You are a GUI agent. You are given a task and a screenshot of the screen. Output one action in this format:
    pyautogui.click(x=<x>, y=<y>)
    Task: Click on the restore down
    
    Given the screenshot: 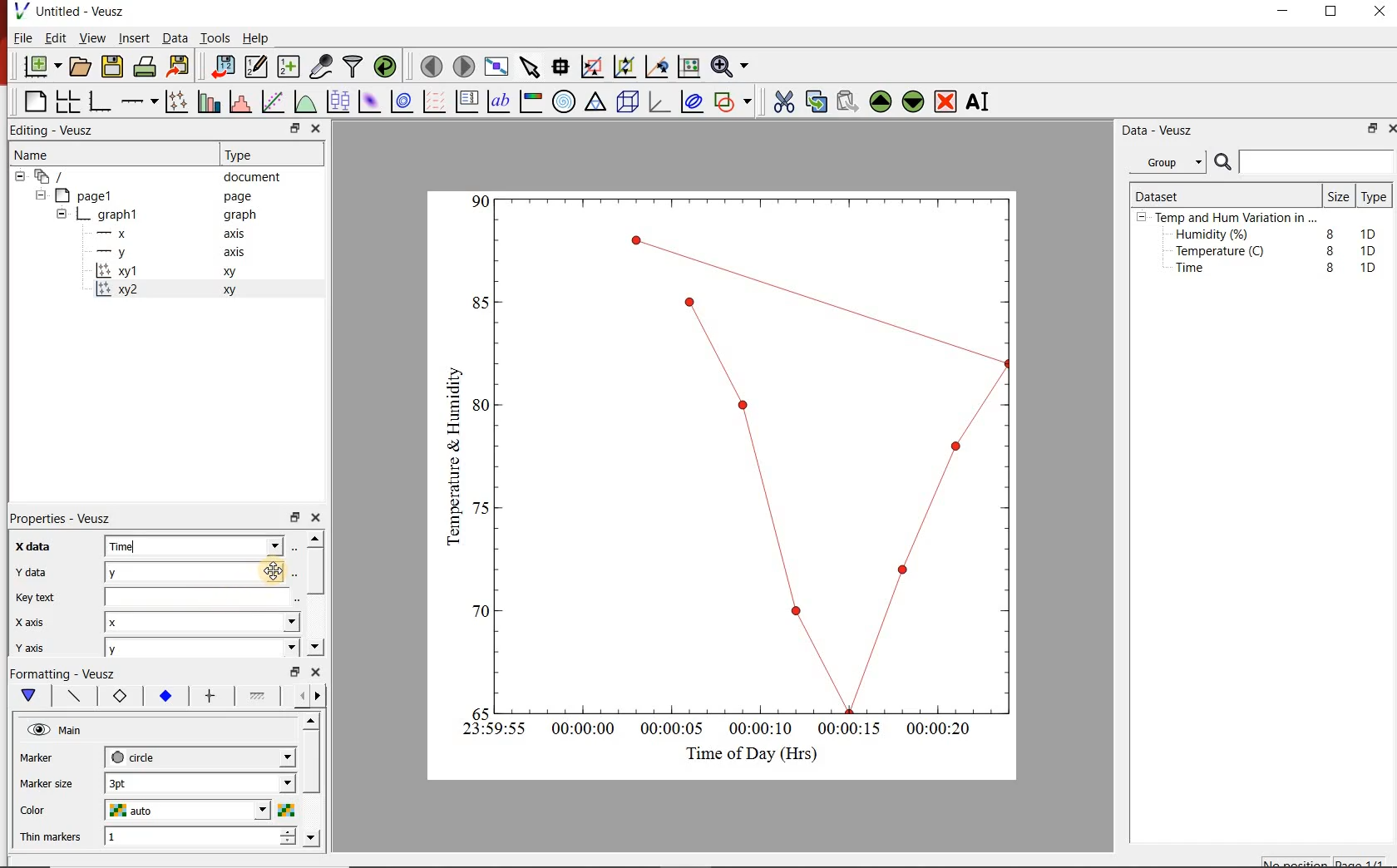 What is the action you would take?
    pyautogui.click(x=294, y=518)
    